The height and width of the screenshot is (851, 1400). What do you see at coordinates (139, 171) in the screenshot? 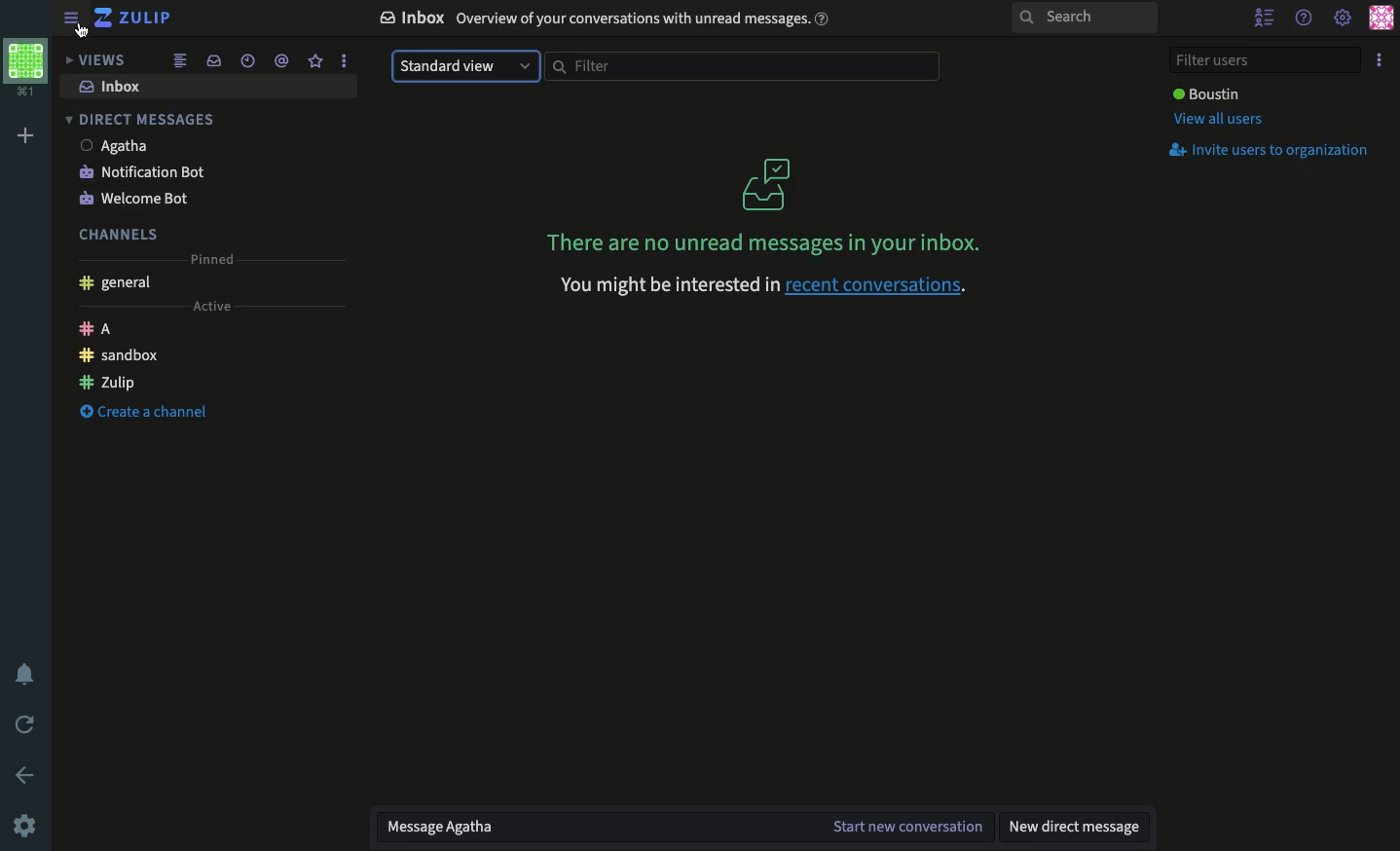
I see `Notification bot` at bounding box center [139, 171].